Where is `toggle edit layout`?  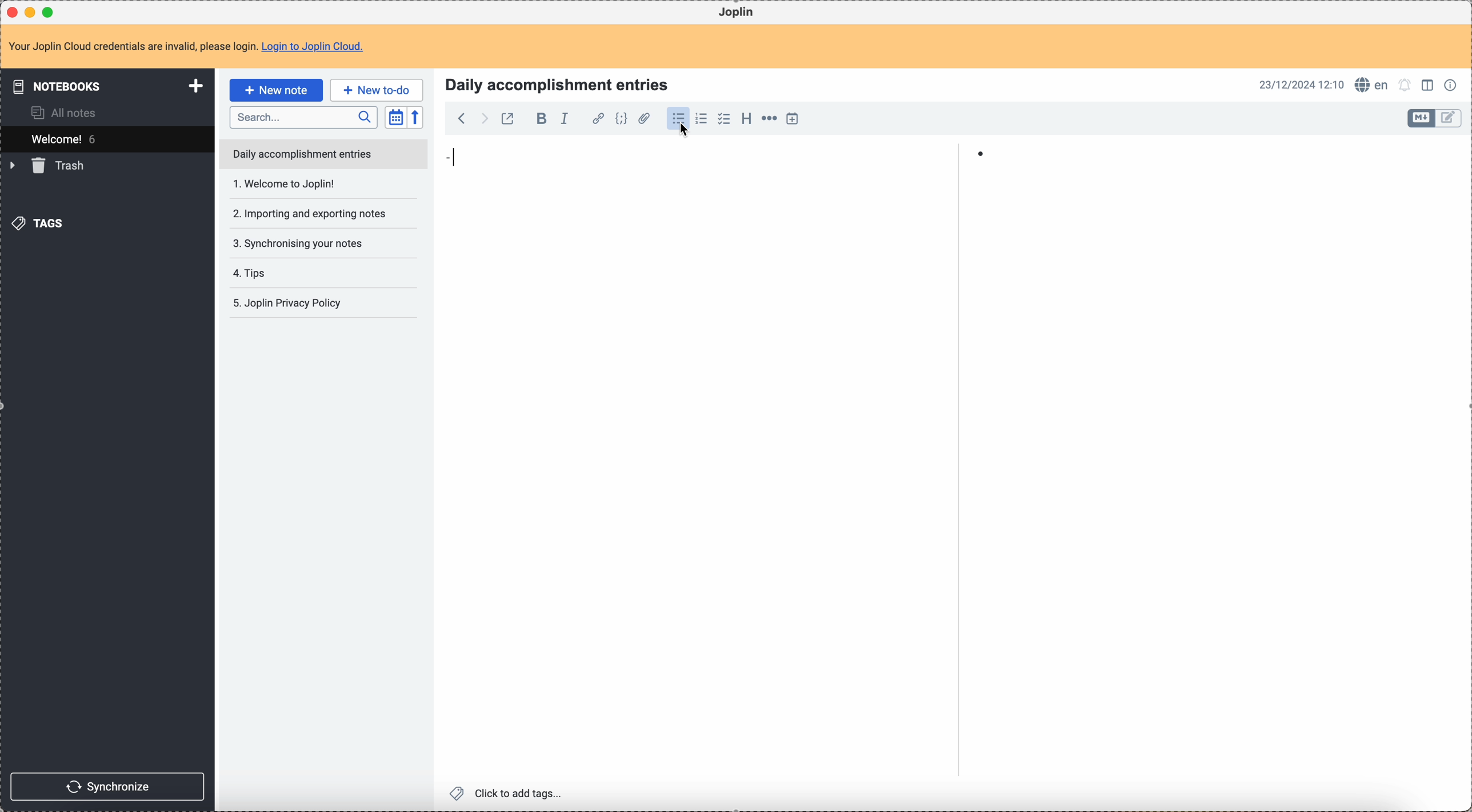 toggle edit layout is located at coordinates (1428, 84).